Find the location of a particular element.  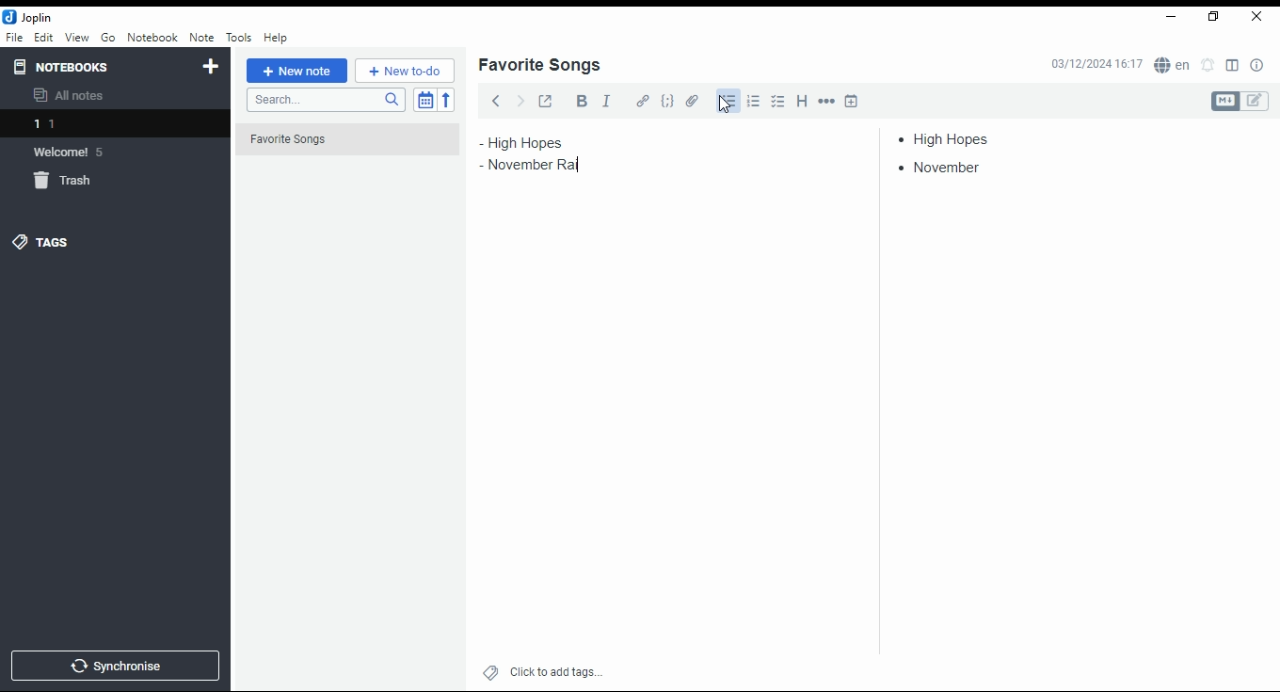

synchronise is located at coordinates (112, 665).